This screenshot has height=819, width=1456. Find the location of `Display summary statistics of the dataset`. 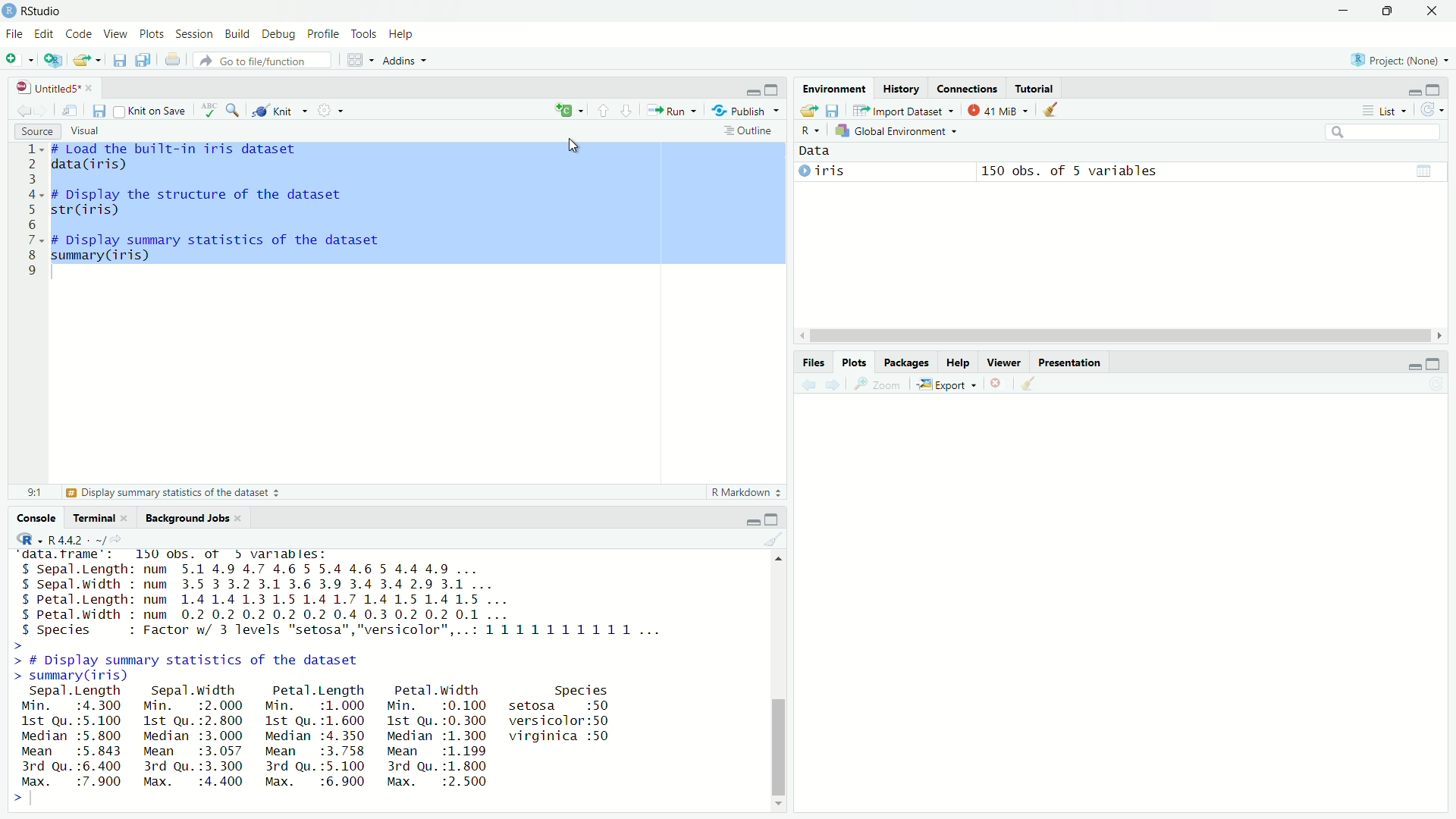

Display summary statistics of the dataset is located at coordinates (172, 492).